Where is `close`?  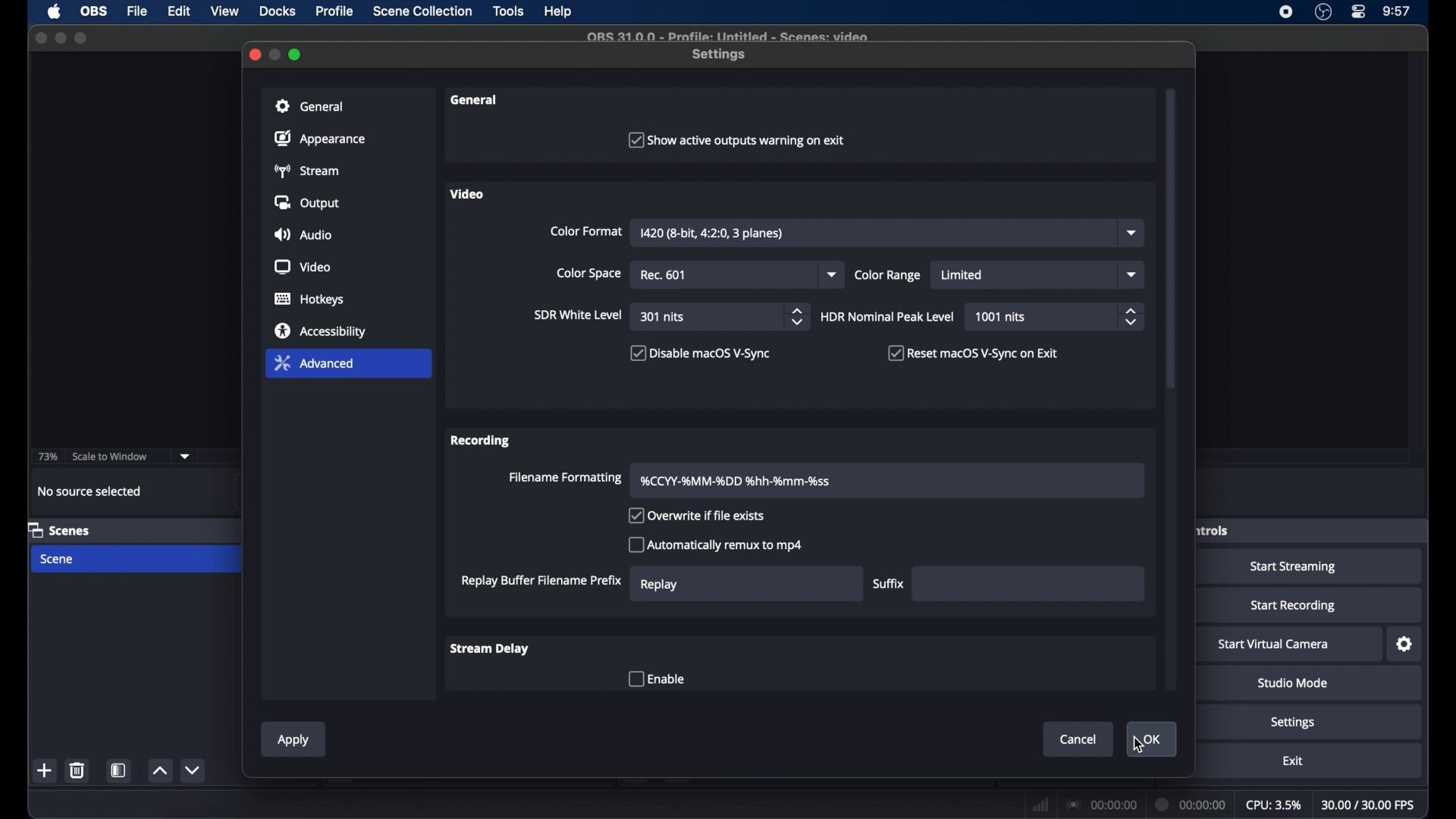 close is located at coordinates (41, 37).